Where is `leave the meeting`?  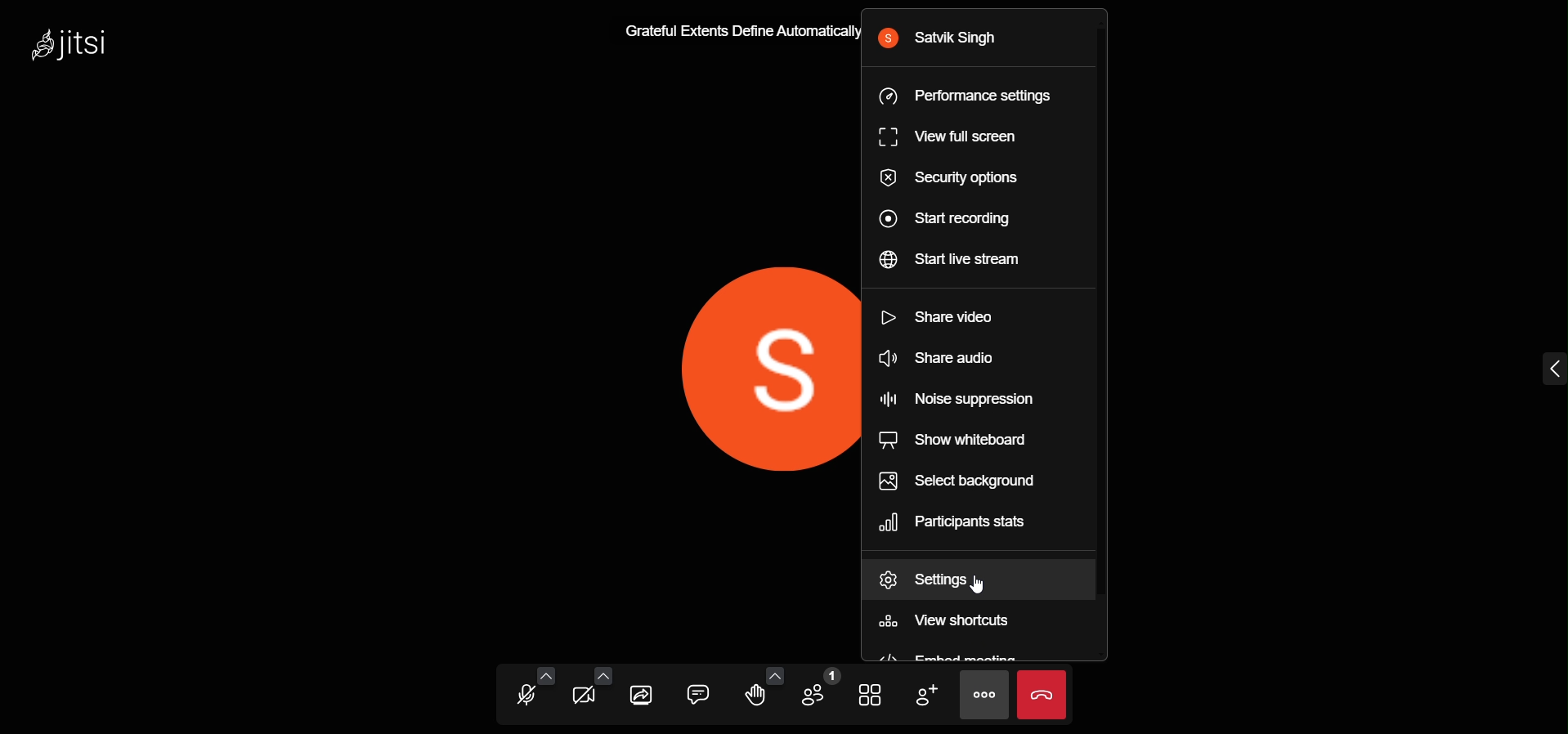
leave the meeting is located at coordinates (1042, 693).